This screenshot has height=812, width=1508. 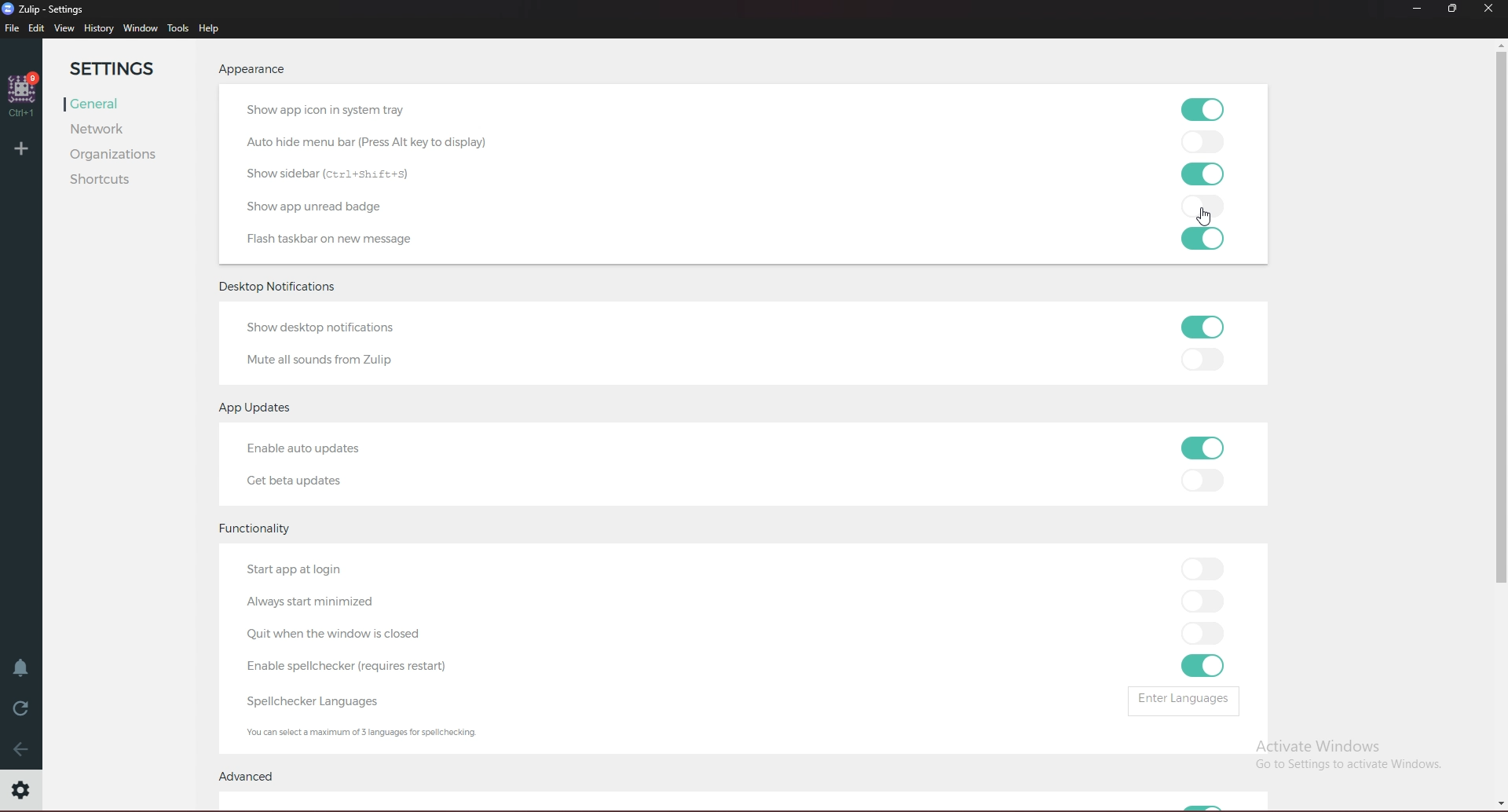 I want to click on toggle, so click(x=1200, y=668).